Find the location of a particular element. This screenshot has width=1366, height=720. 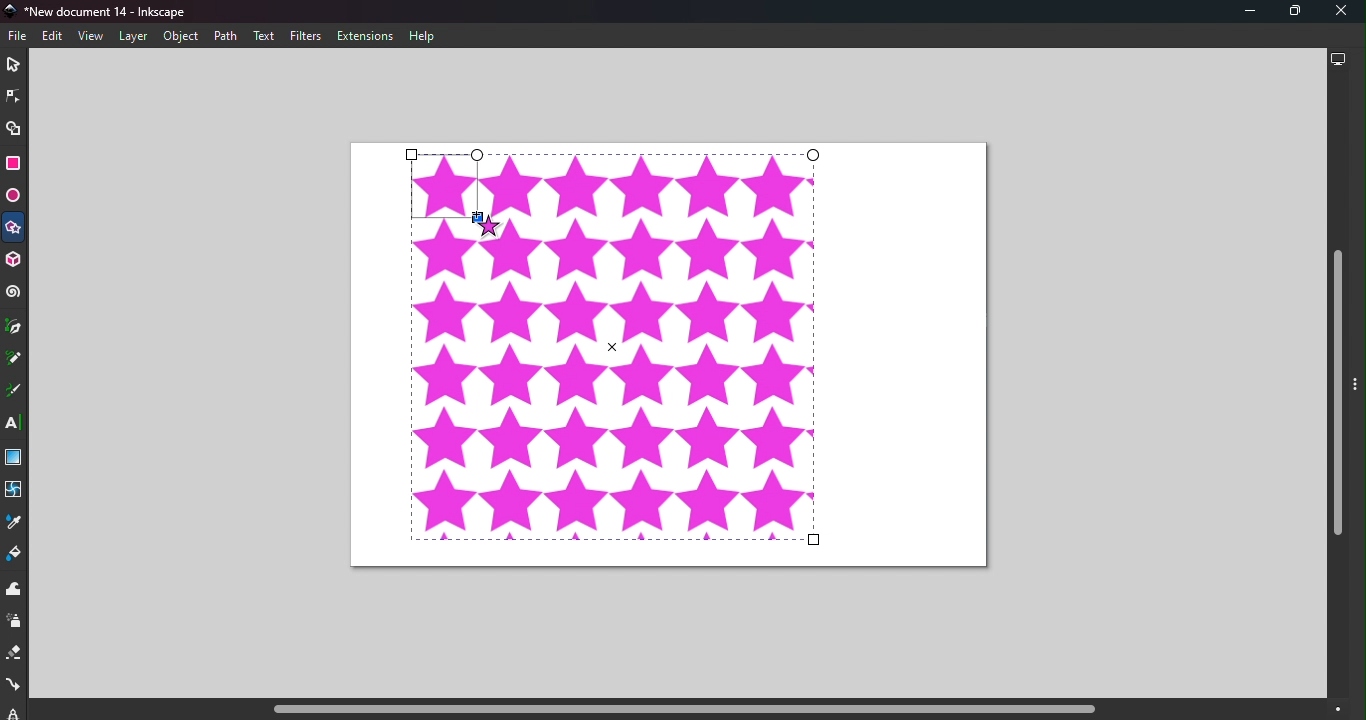

Object is located at coordinates (180, 37).